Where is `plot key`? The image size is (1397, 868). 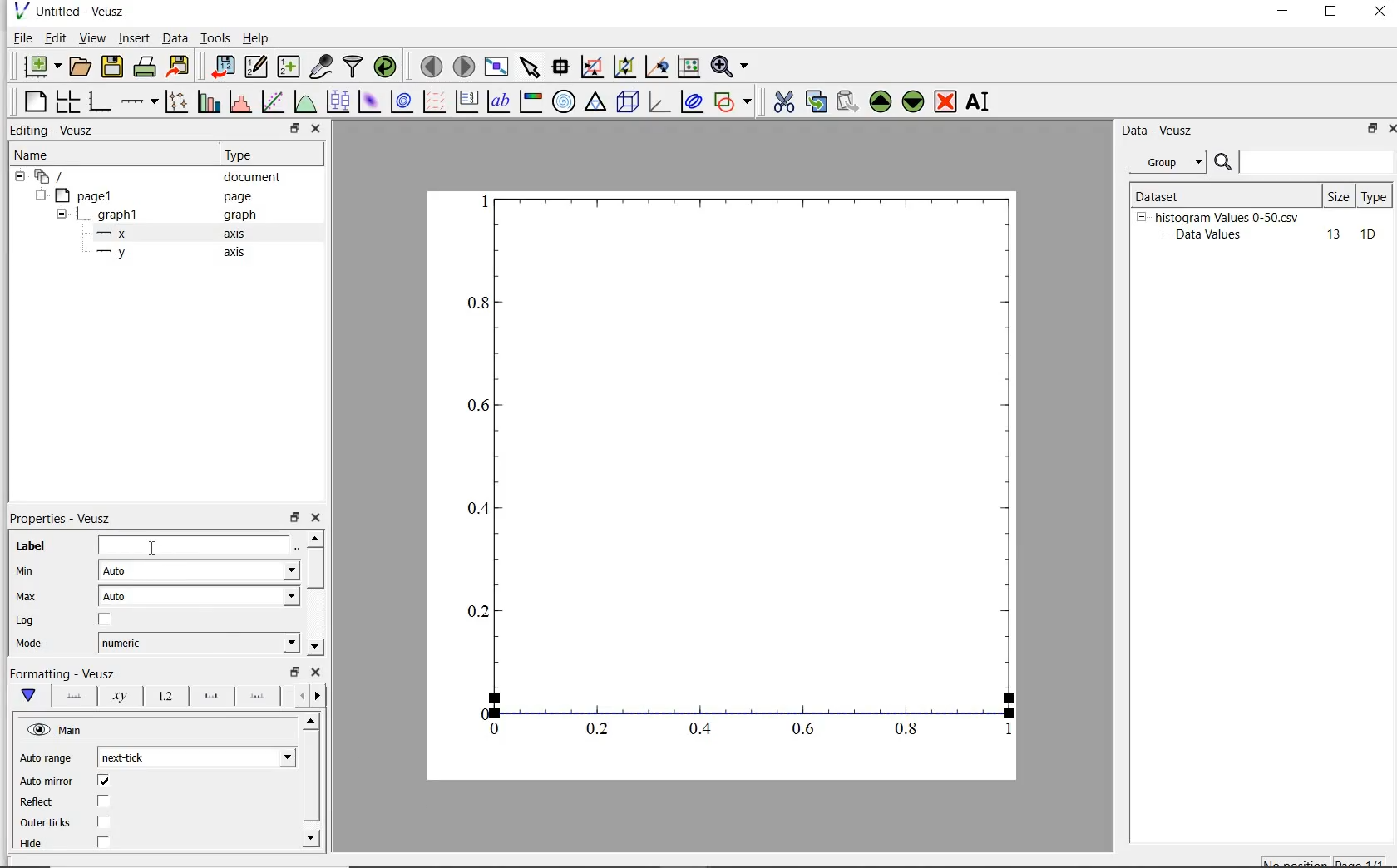 plot key is located at coordinates (466, 101).